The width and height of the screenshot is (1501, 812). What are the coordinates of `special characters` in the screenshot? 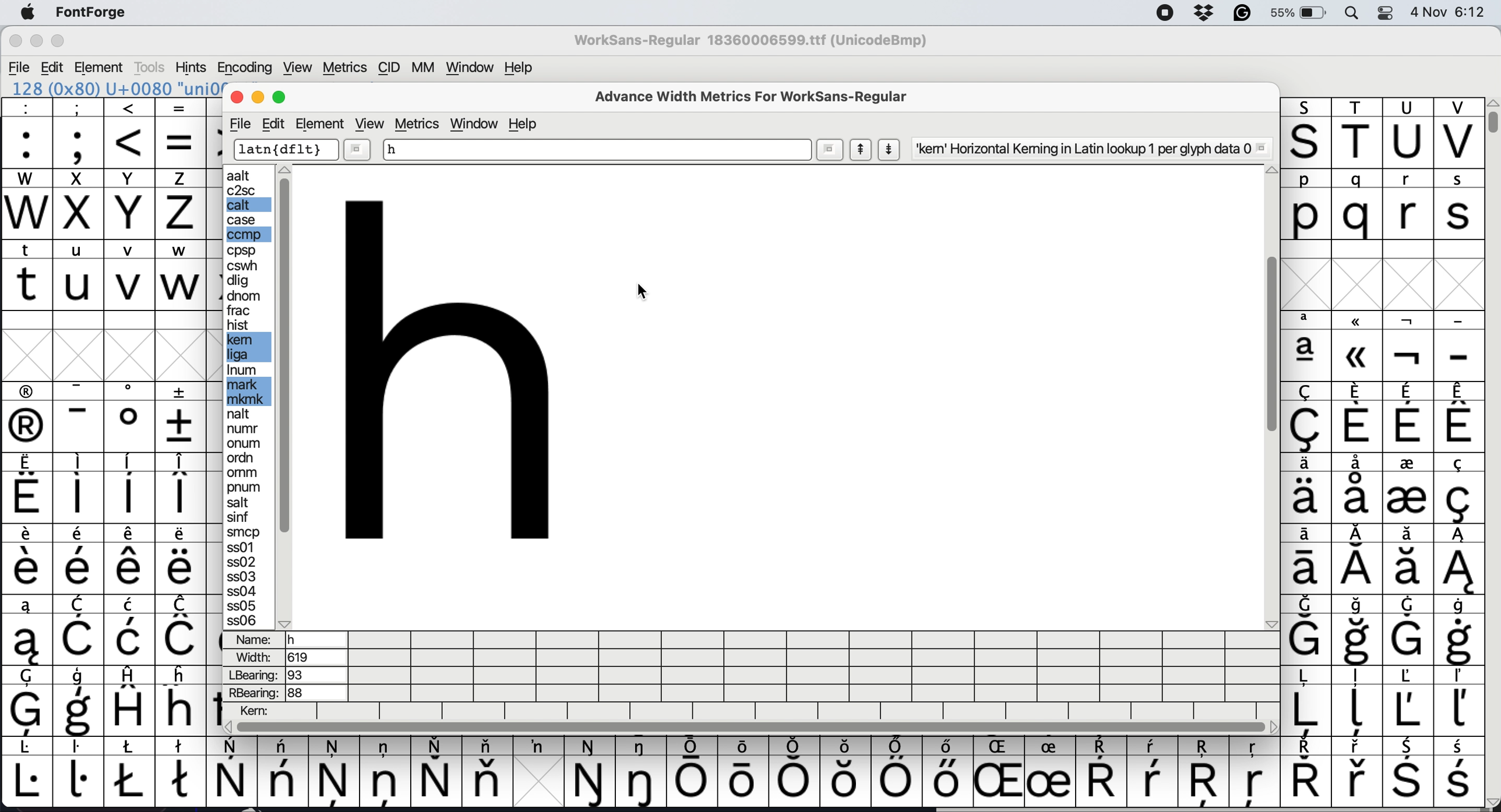 It's located at (1383, 496).